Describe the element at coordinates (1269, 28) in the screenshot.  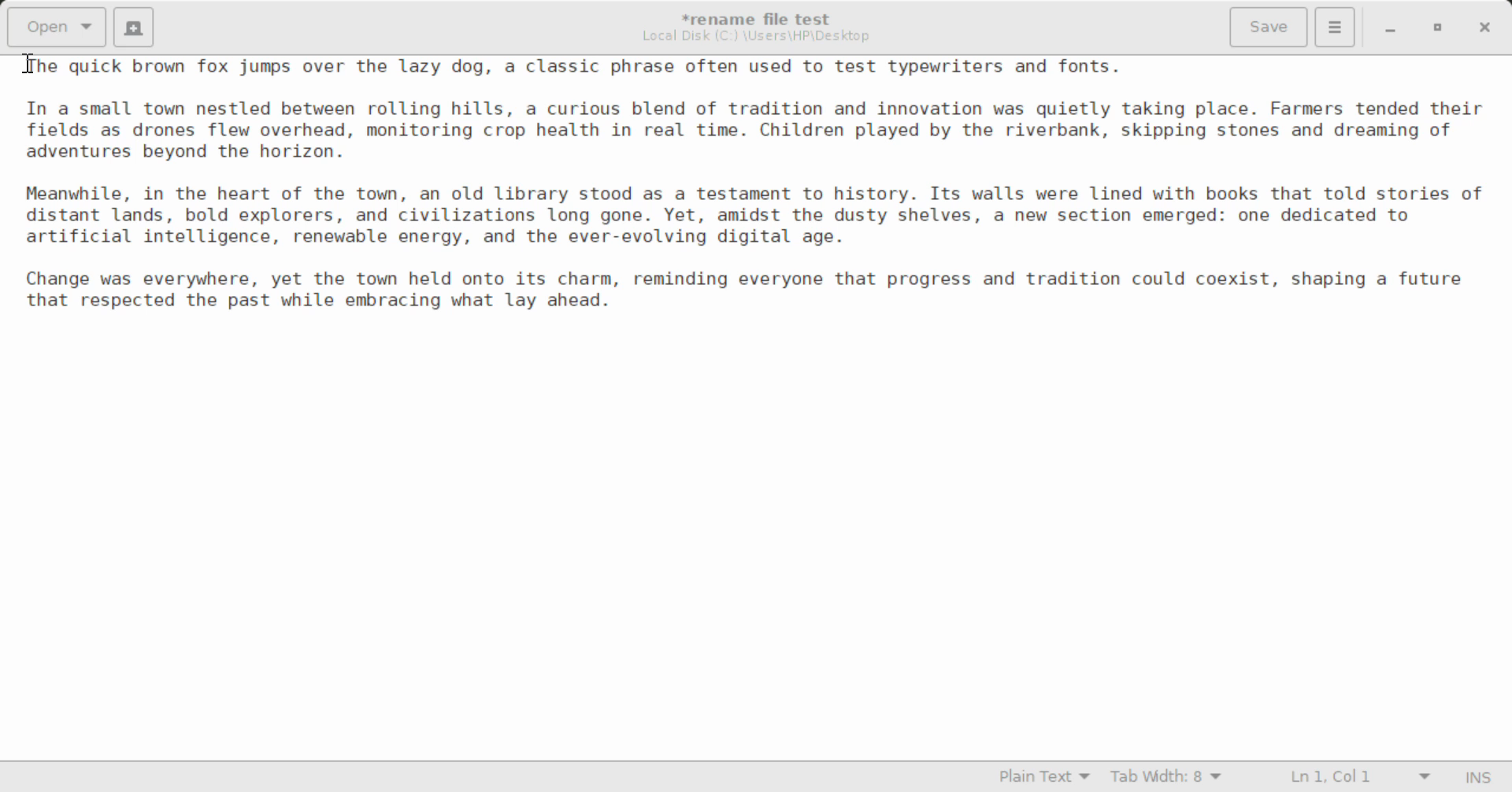
I see `Save` at that location.